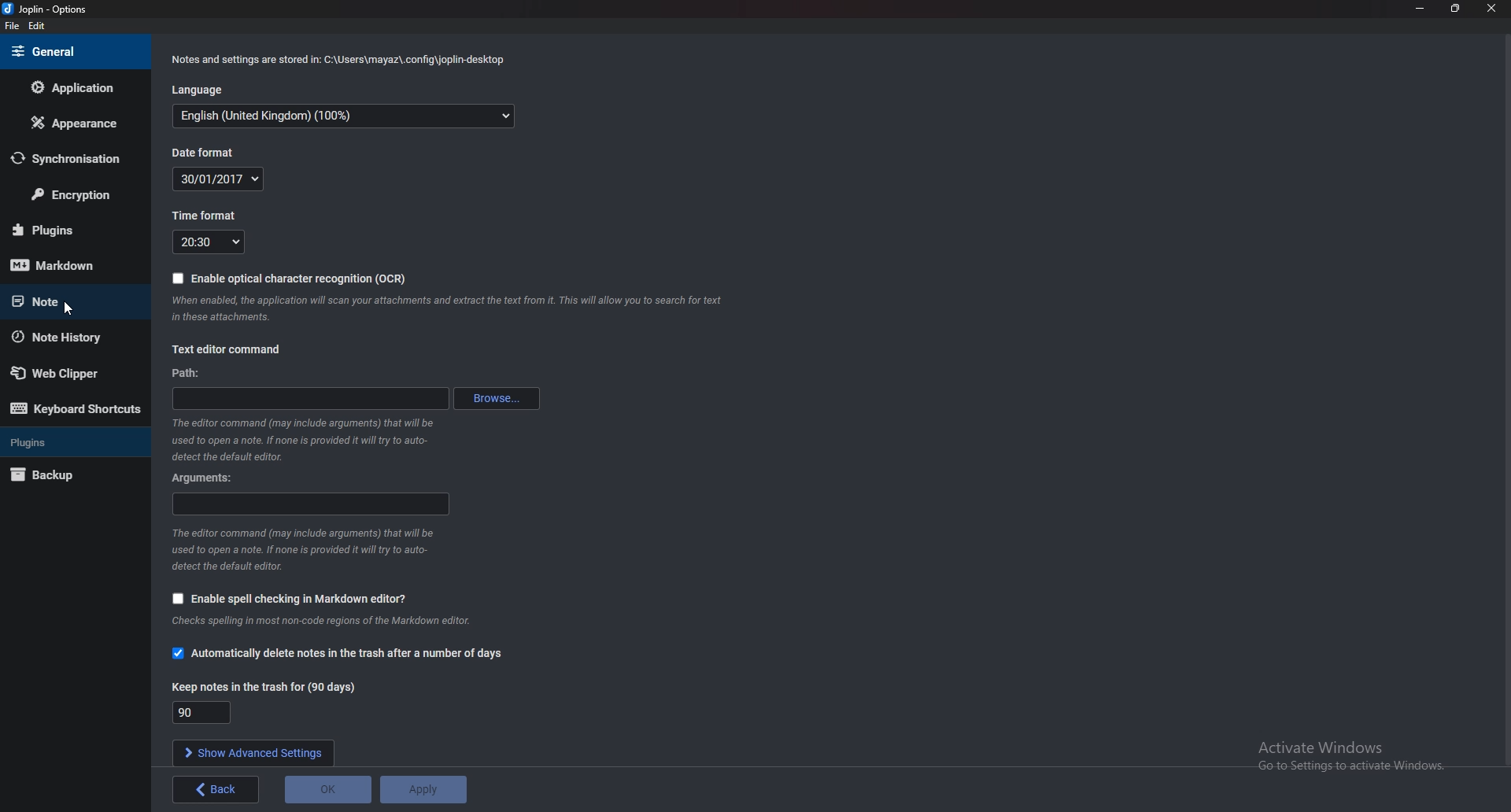 This screenshot has width=1511, height=812. I want to click on Info, so click(301, 440).